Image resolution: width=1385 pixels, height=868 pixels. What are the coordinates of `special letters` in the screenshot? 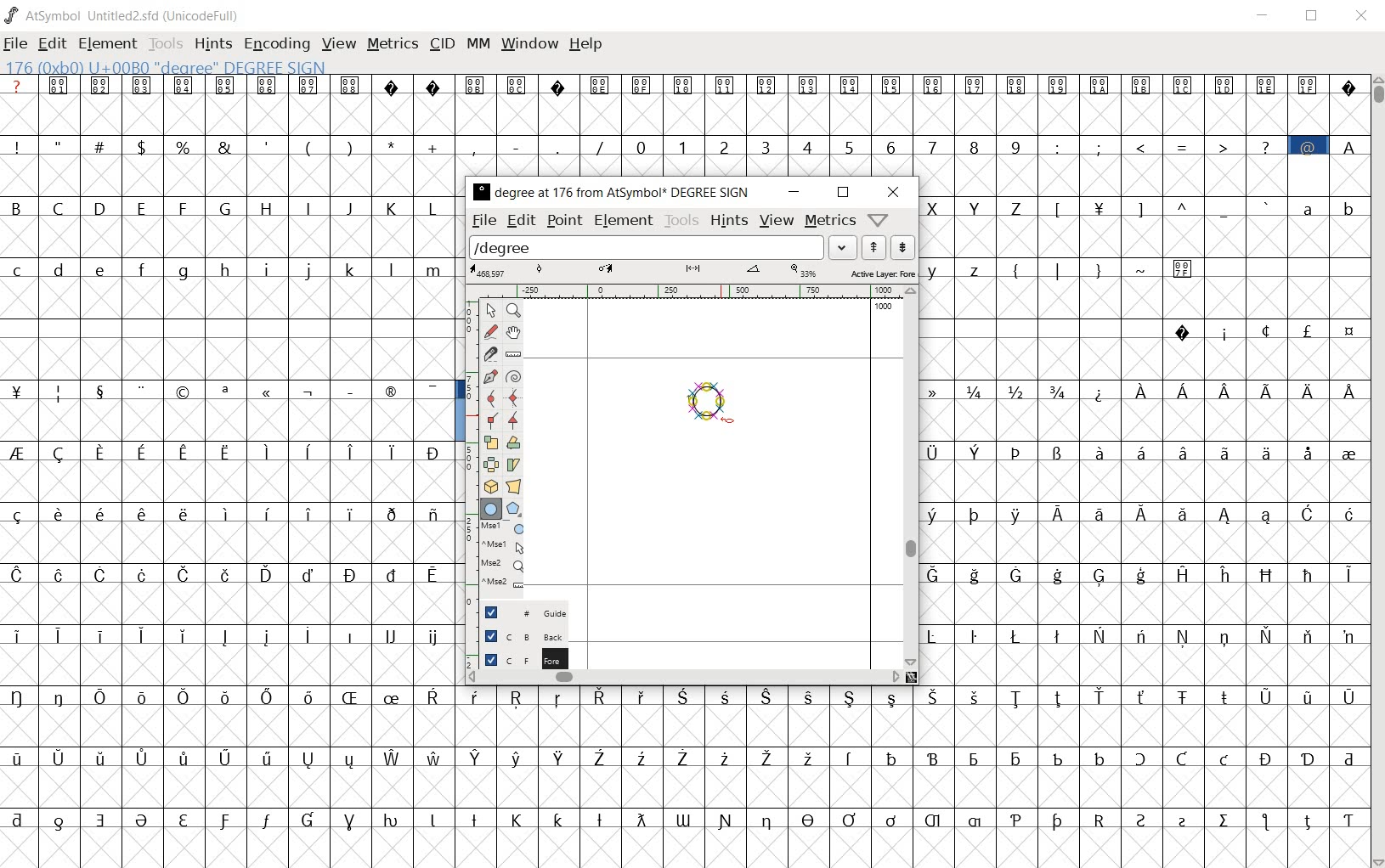 It's located at (1144, 633).